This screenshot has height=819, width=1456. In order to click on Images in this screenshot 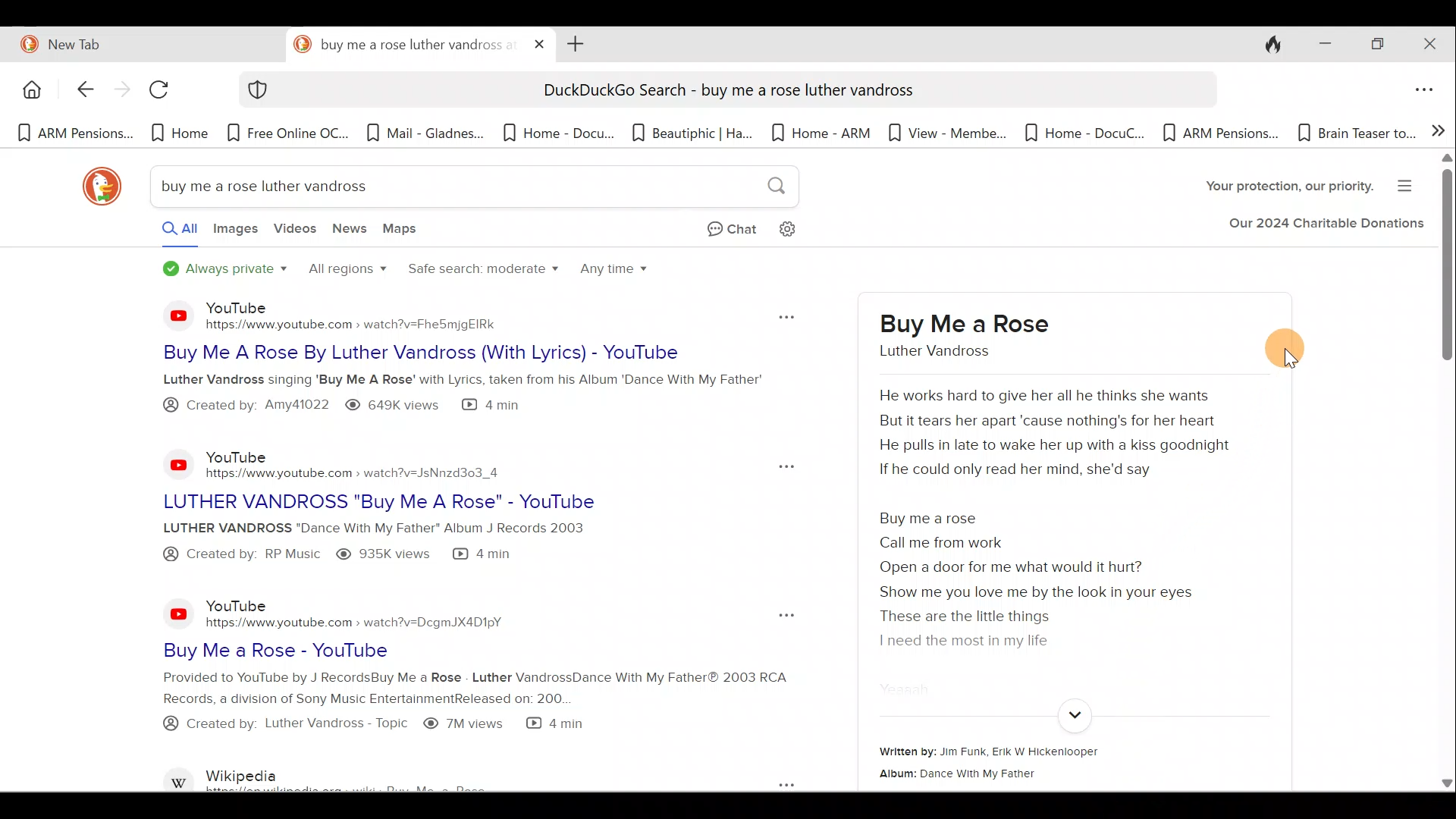, I will do `click(234, 233)`.